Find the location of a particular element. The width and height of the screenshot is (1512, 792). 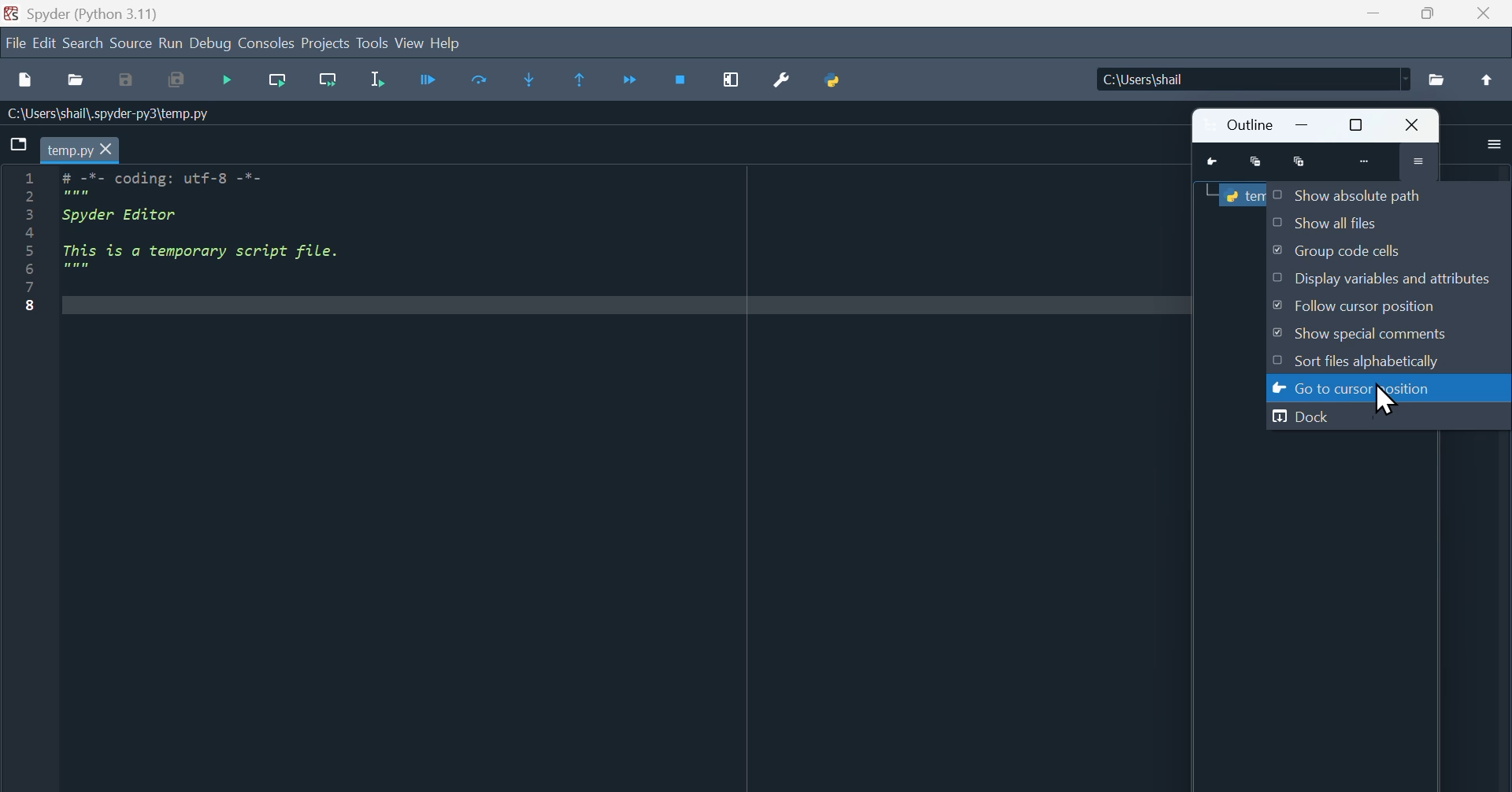

Maximise current window is located at coordinates (731, 80).